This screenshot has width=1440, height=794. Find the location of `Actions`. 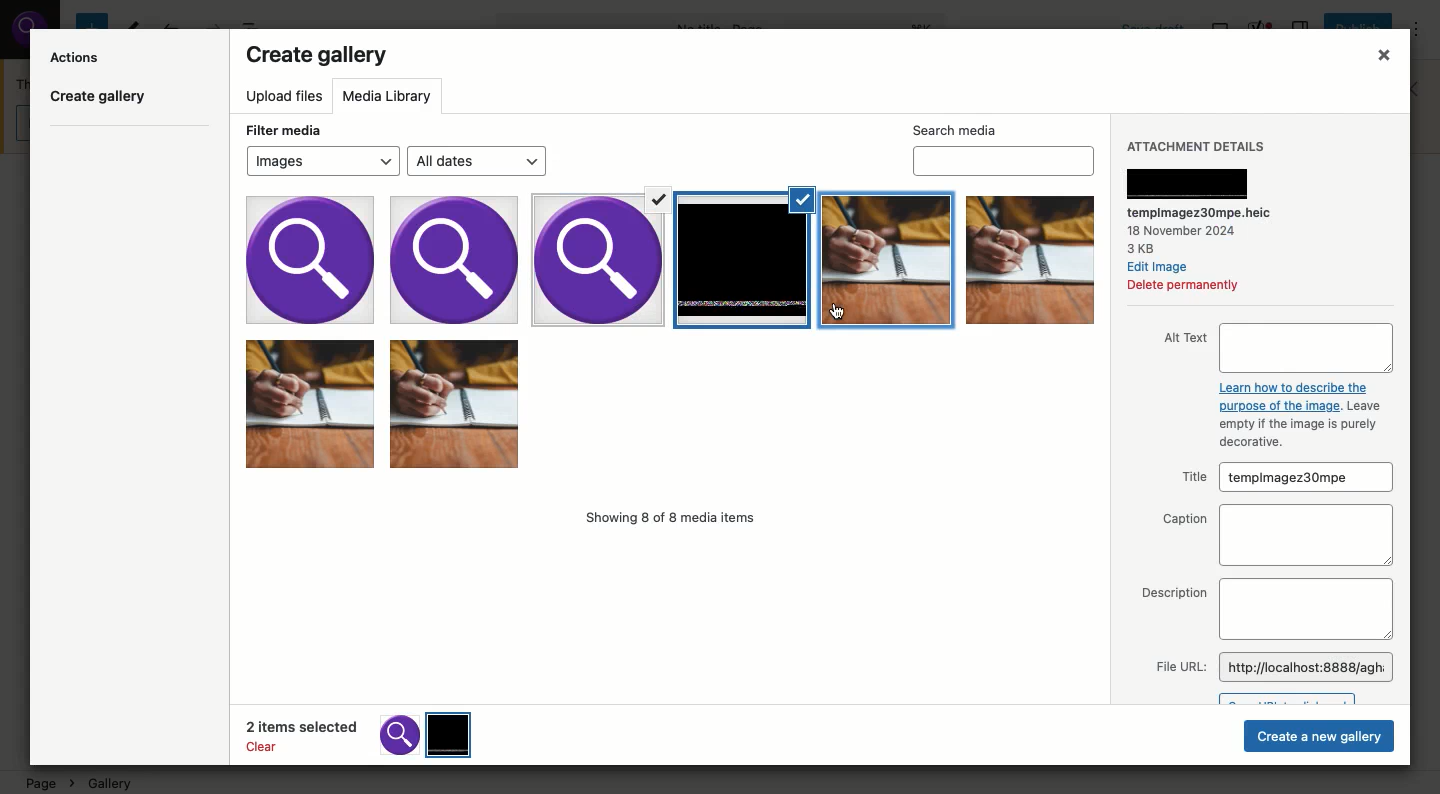

Actions is located at coordinates (77, 56).